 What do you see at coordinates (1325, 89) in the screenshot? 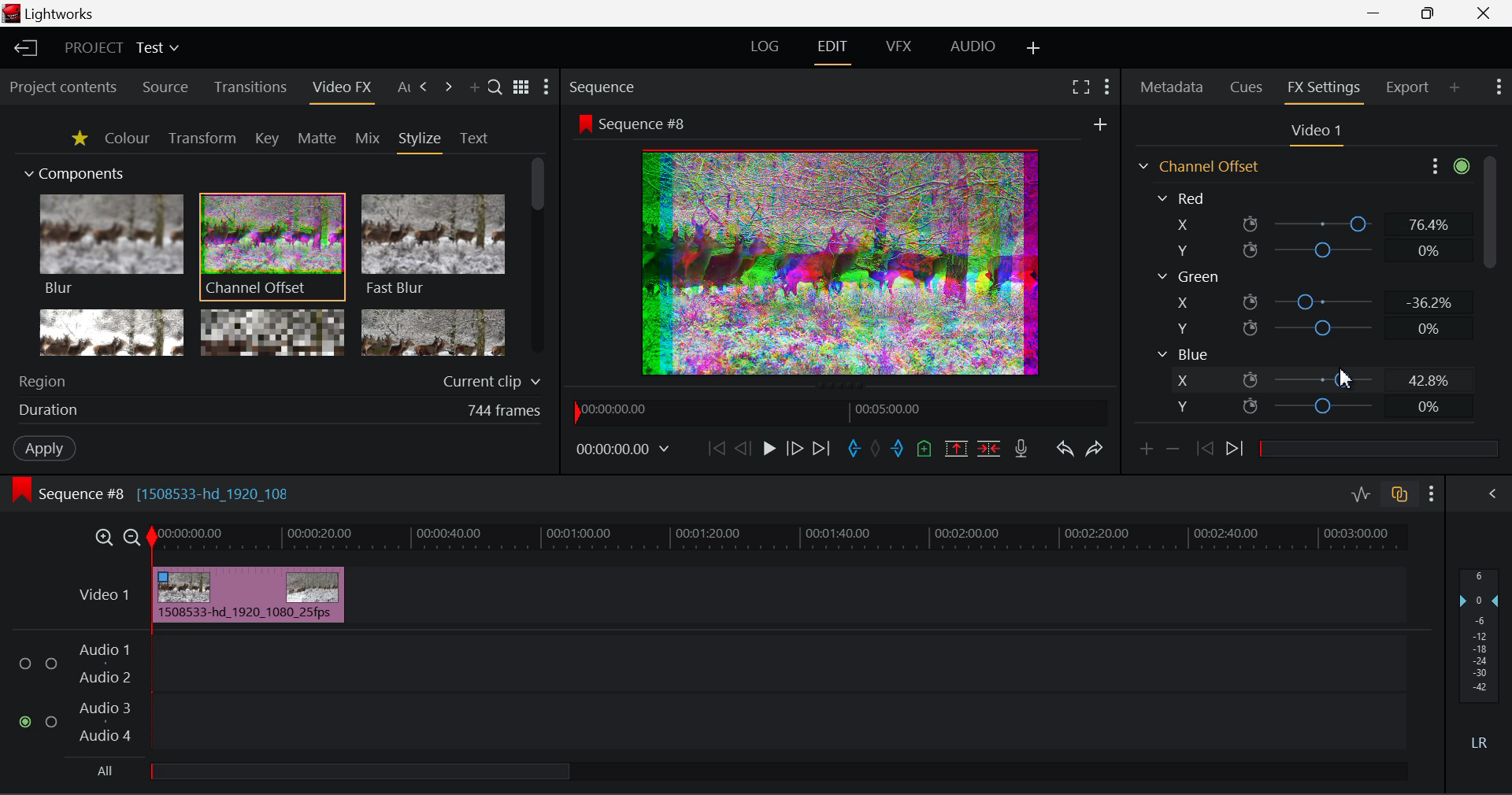
I see `FX Settings` at bounding box center [1325, 89].